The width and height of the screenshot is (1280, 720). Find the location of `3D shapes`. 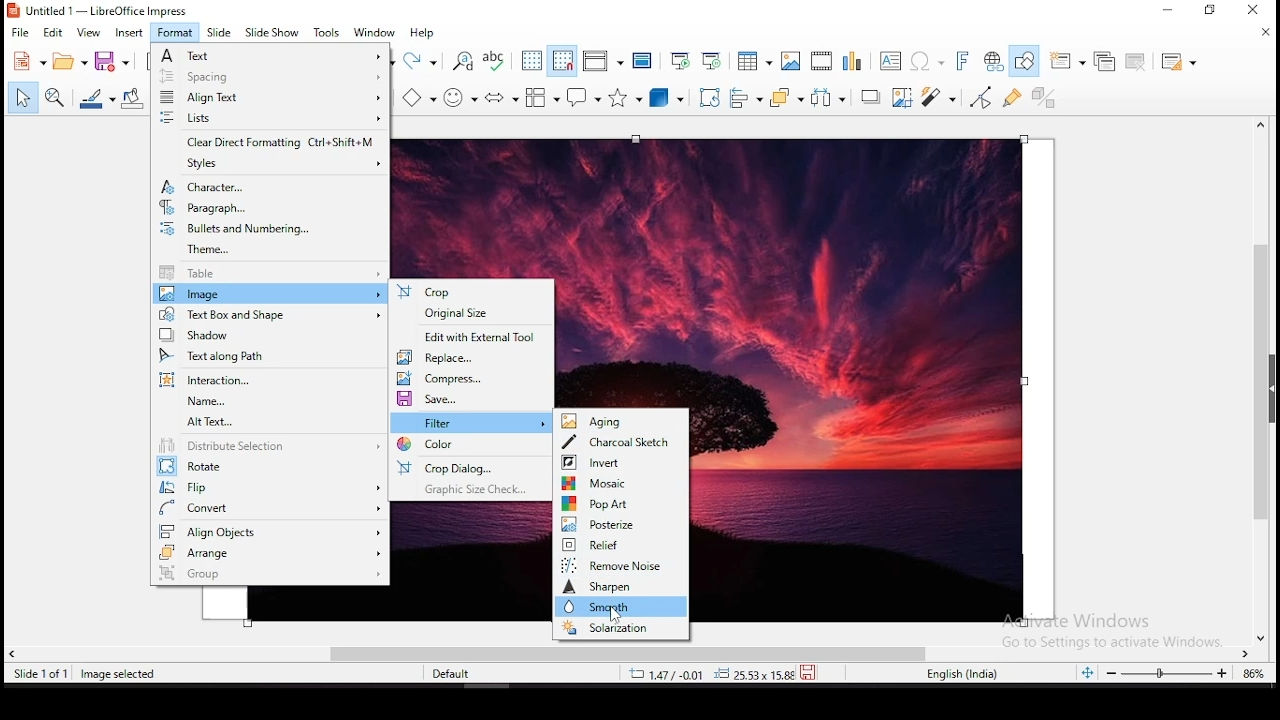

3D shapes is located at coordinates (667, 100).